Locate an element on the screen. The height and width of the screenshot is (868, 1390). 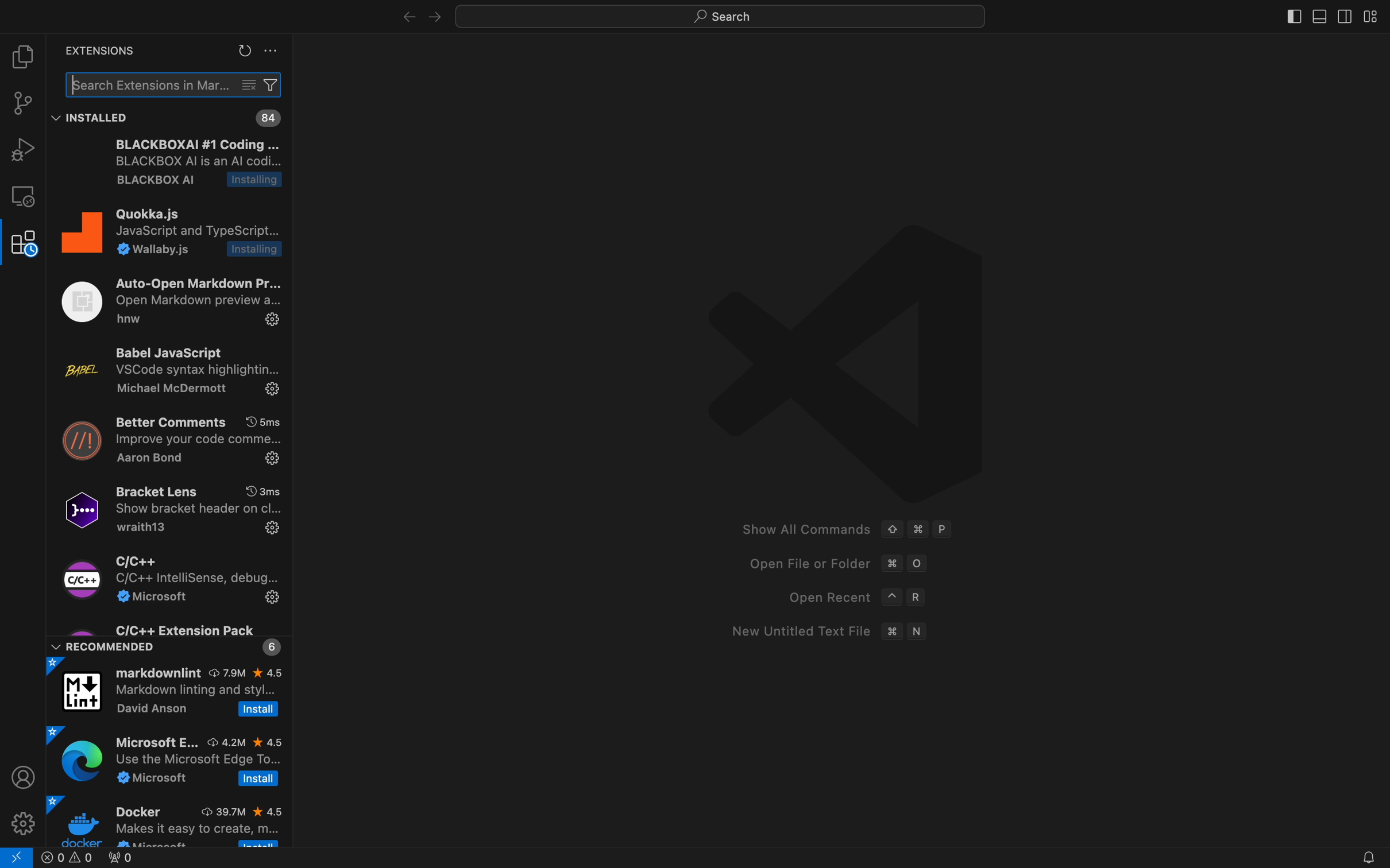
search bar is located at coordinates (176, 84).